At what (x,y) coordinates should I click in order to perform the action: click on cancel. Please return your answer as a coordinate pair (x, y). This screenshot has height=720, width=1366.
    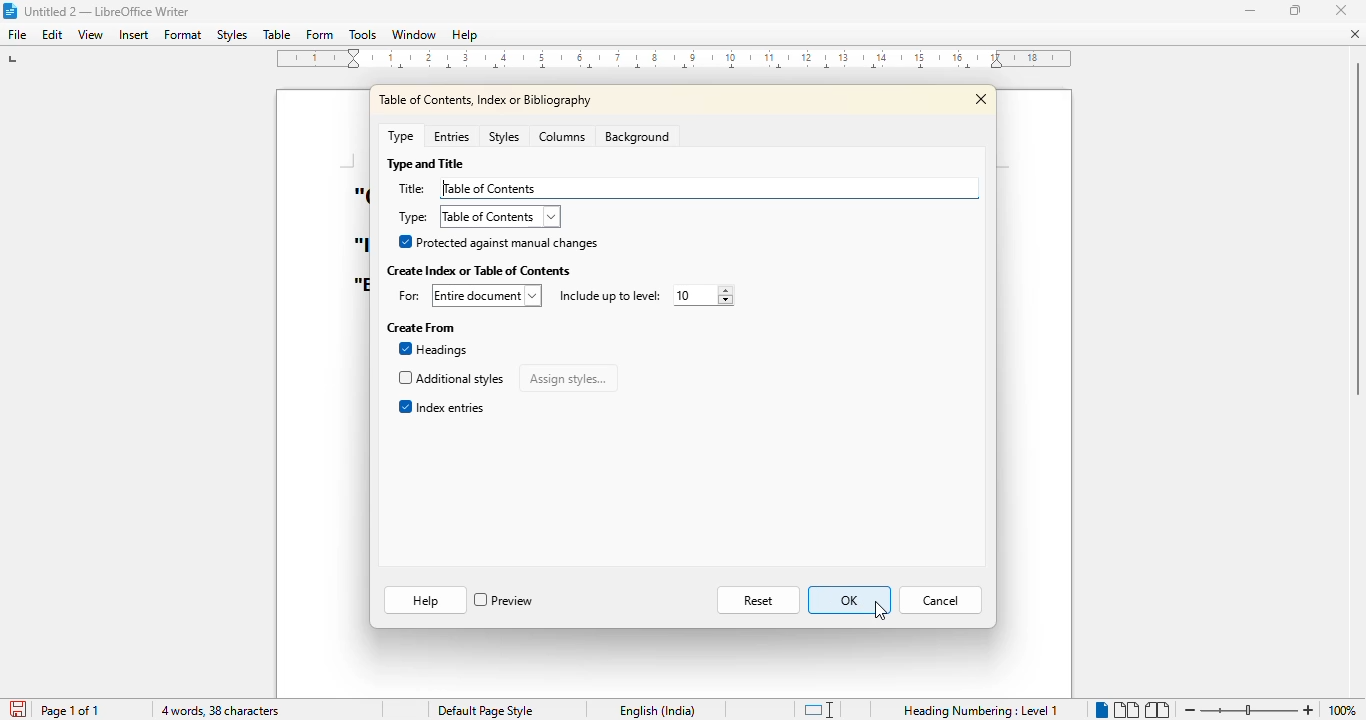
    Looking at the image, I should click on (942, 600).